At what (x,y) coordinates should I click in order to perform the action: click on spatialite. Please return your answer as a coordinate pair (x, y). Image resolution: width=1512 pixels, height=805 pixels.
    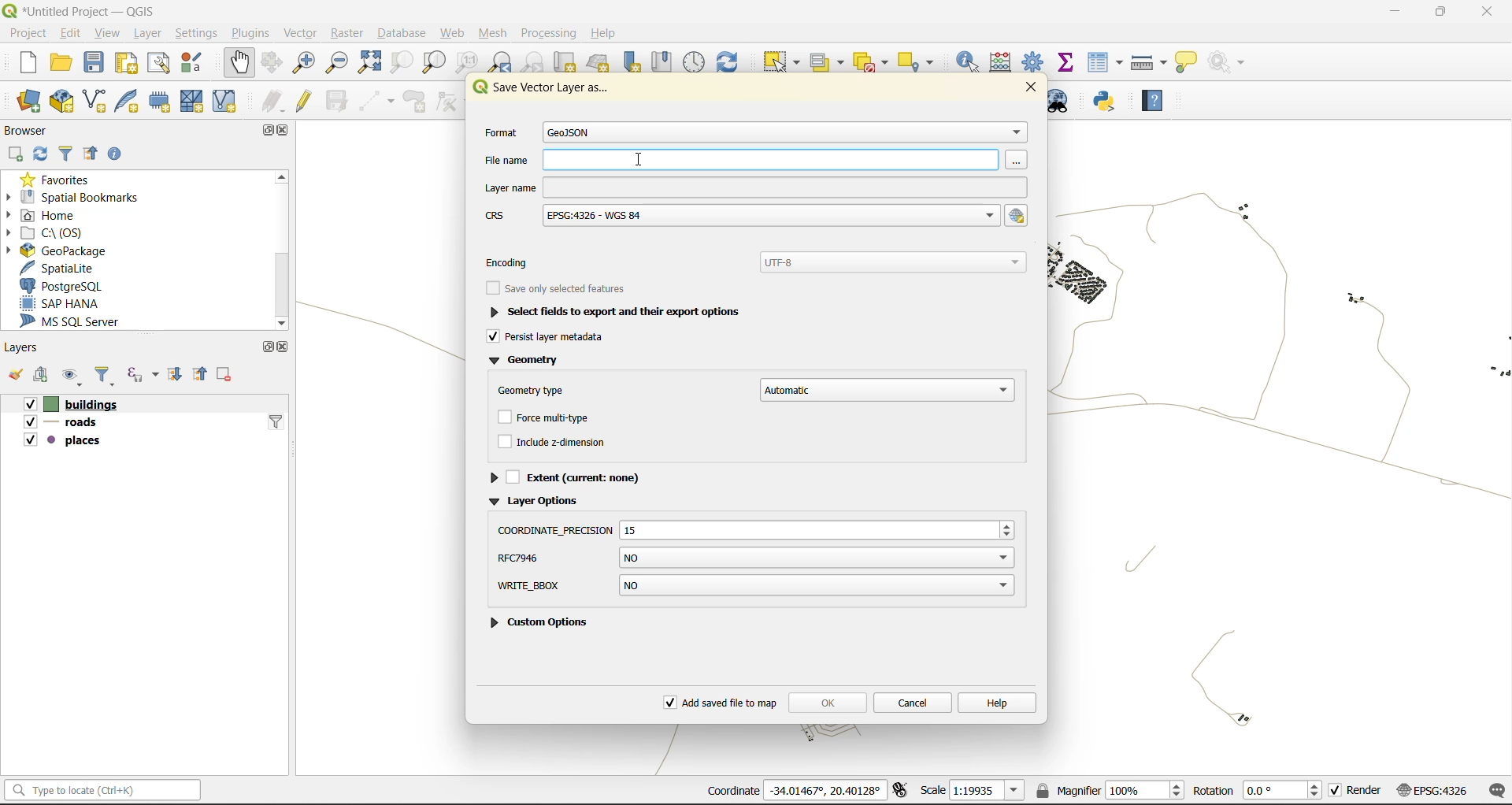
    Looking at the image, I should click on (65, 269).